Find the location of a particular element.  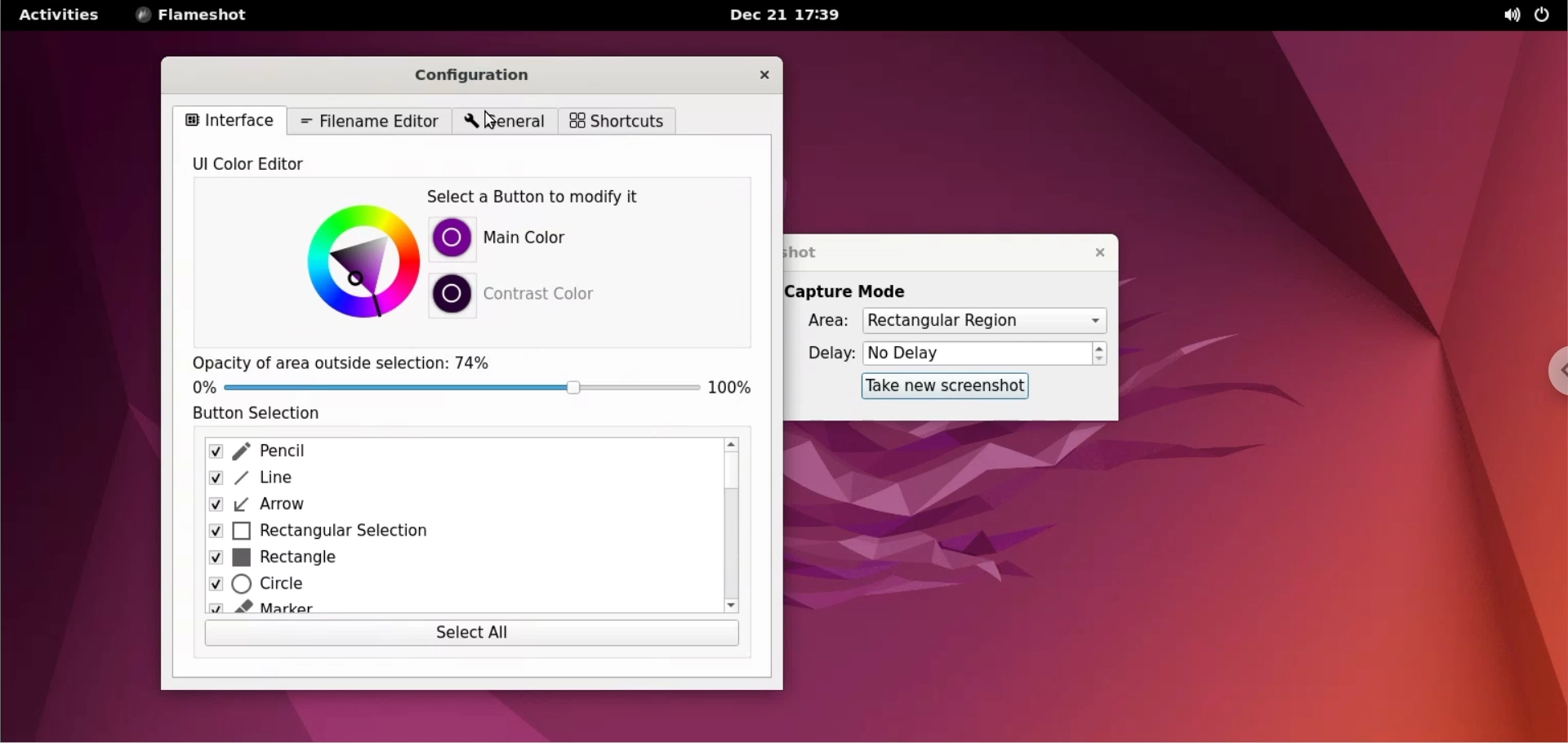

scrollbar is located at coordinates (732, 527).